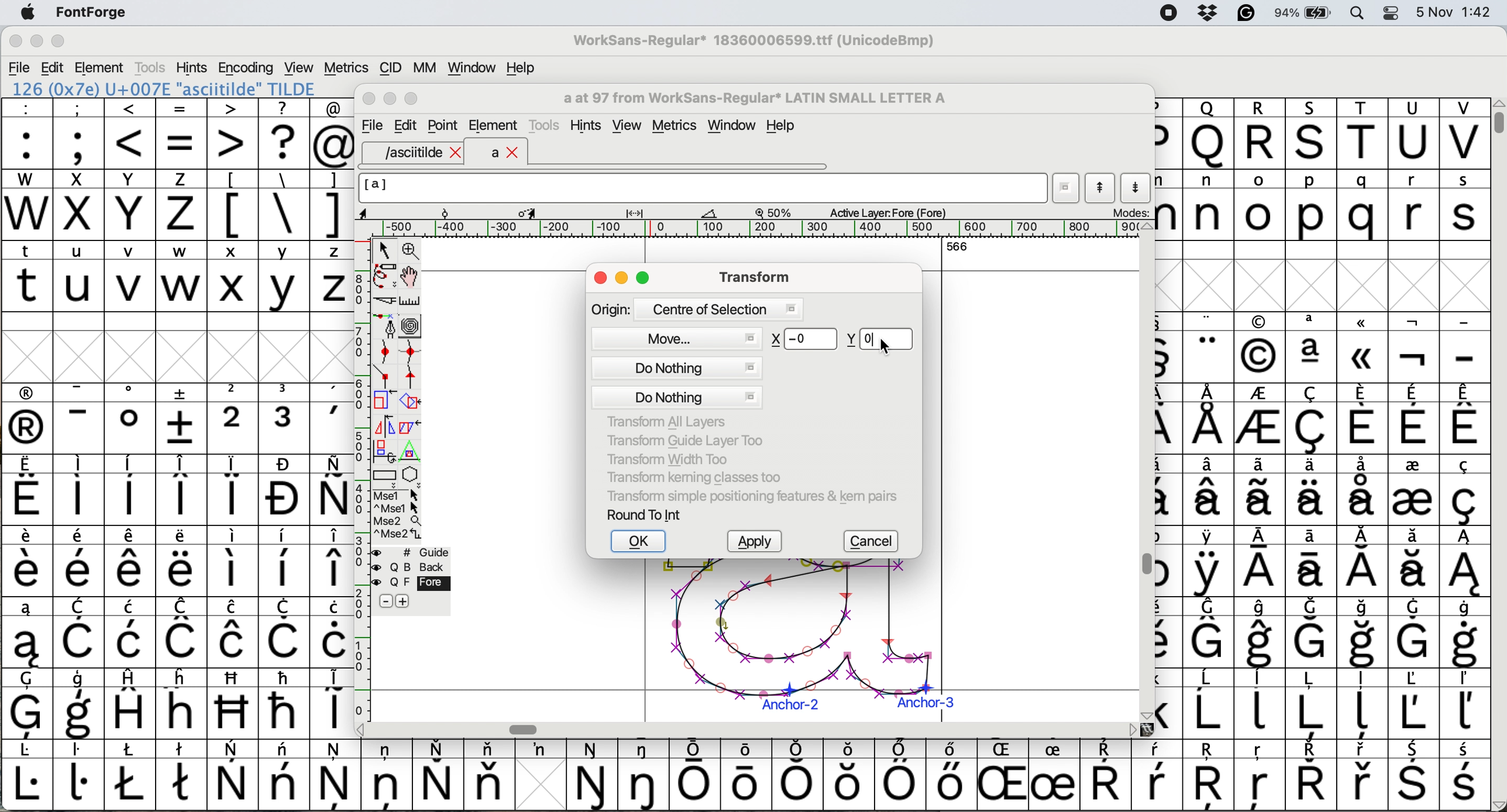 Image resolution: width=1507 pixels, height=812 pixels. What do you see at coordinates (626, 126) in the screenshot?
I see `view` at bounding box center [626, 126].